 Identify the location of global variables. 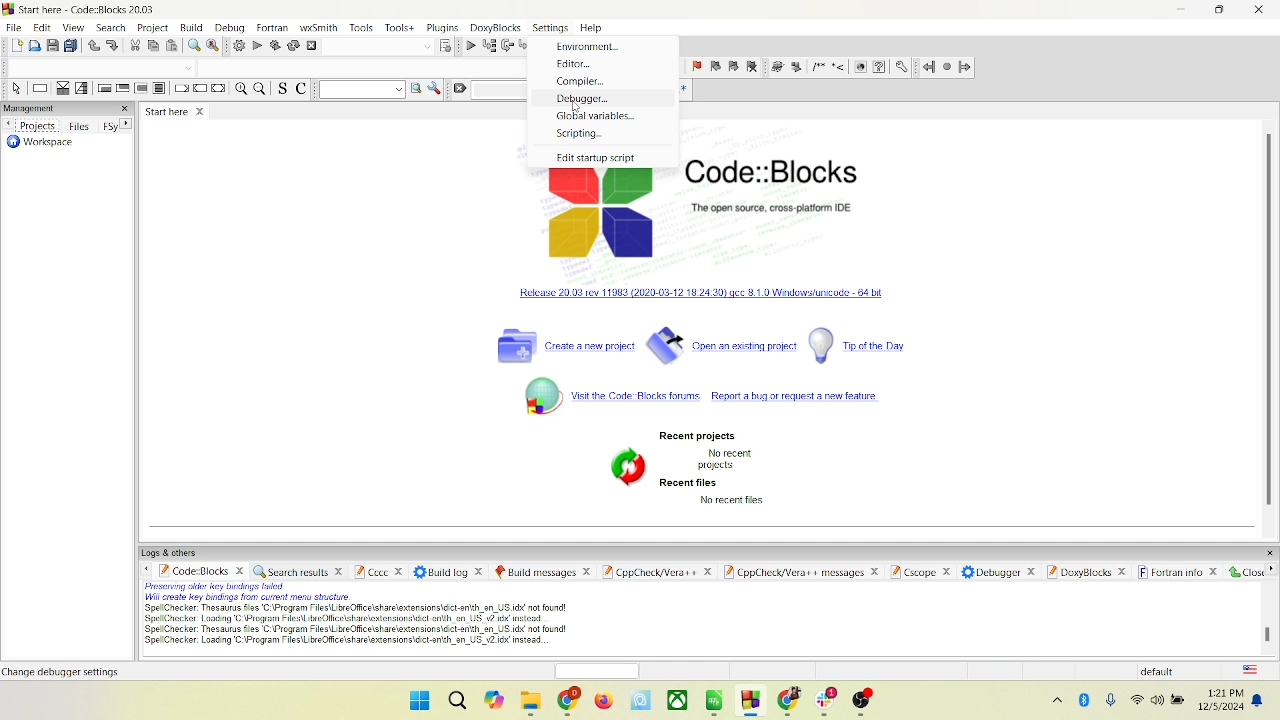
(595, 117).